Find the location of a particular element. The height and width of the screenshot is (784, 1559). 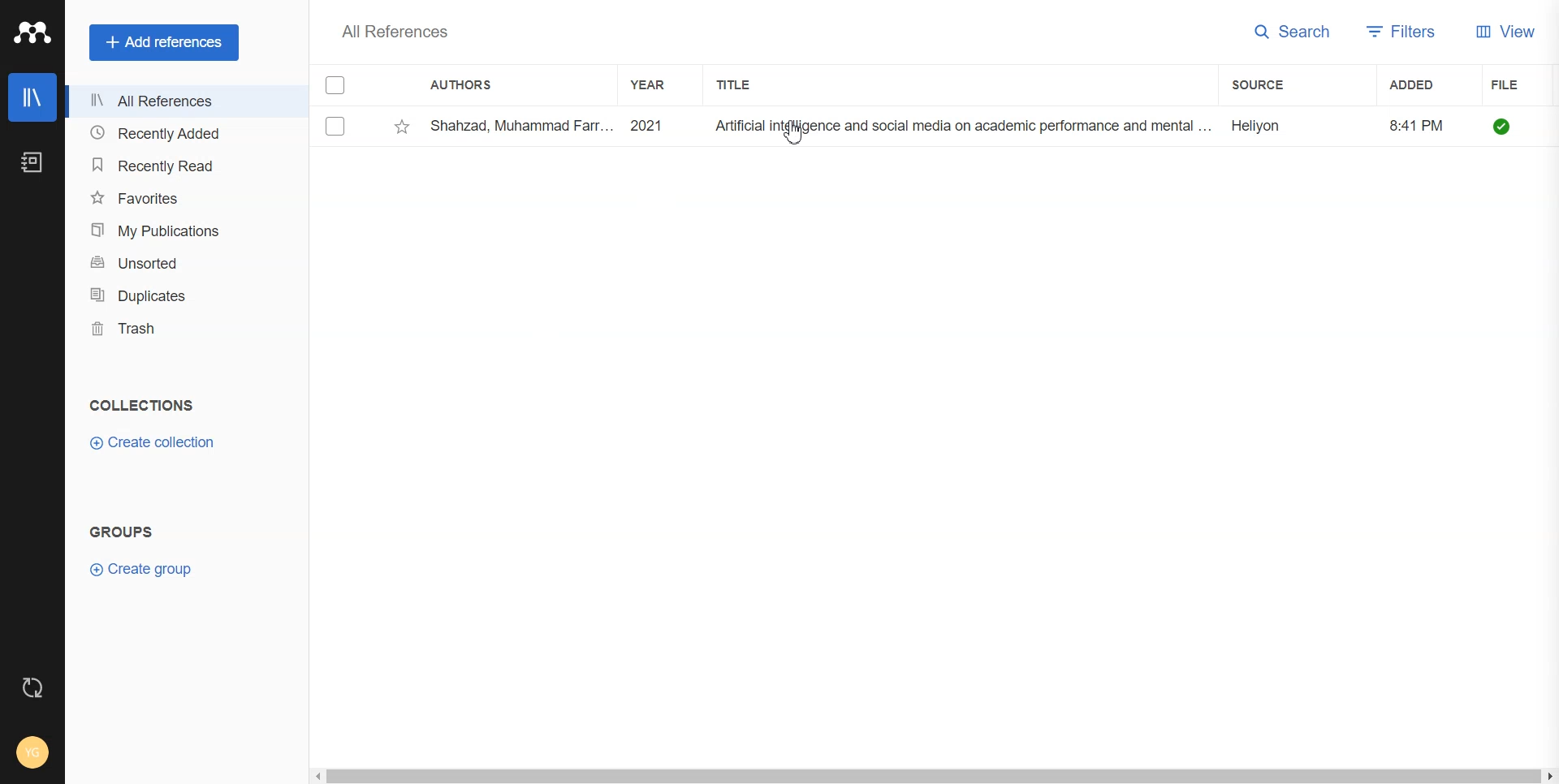

Collection is located at coordinates (143, 407).